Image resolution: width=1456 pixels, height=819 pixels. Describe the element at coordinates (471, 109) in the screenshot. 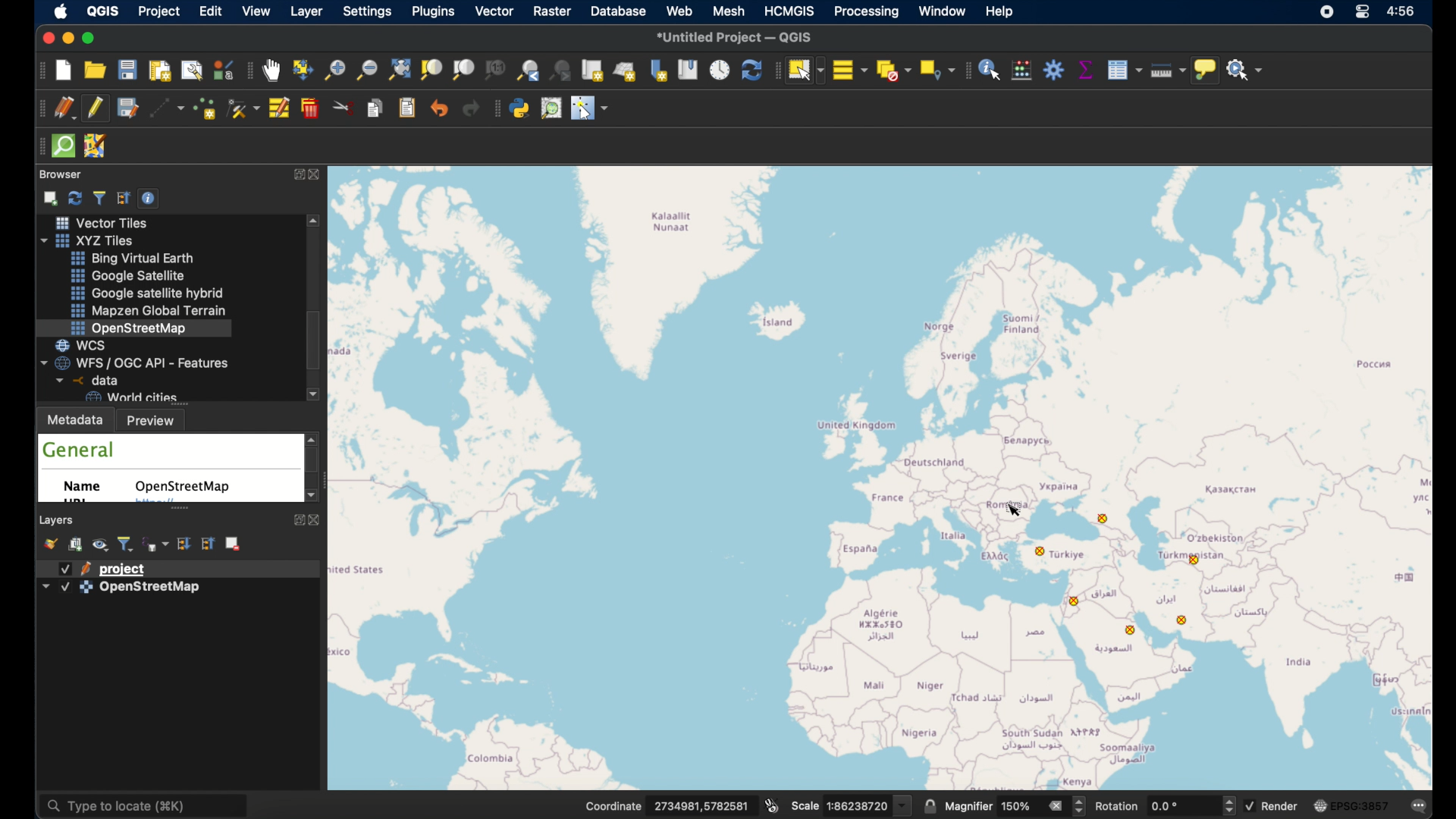

I see `redo` at that location.